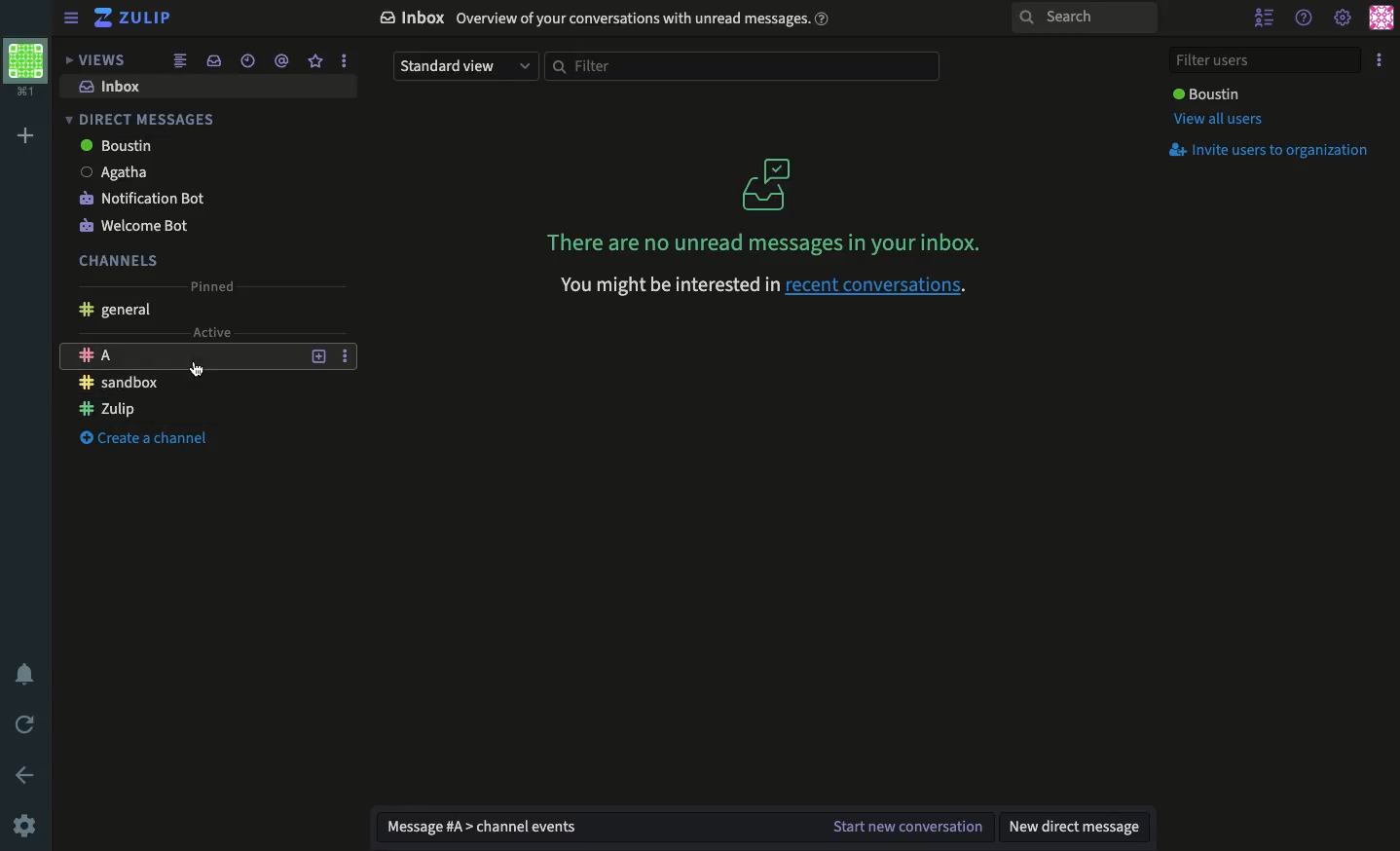 The height and width of the screenshot is (851, 1400). What do you see at coordinates (1207, 93) in the screenshot?
I see `Users` at bounding box center [1207, 93].